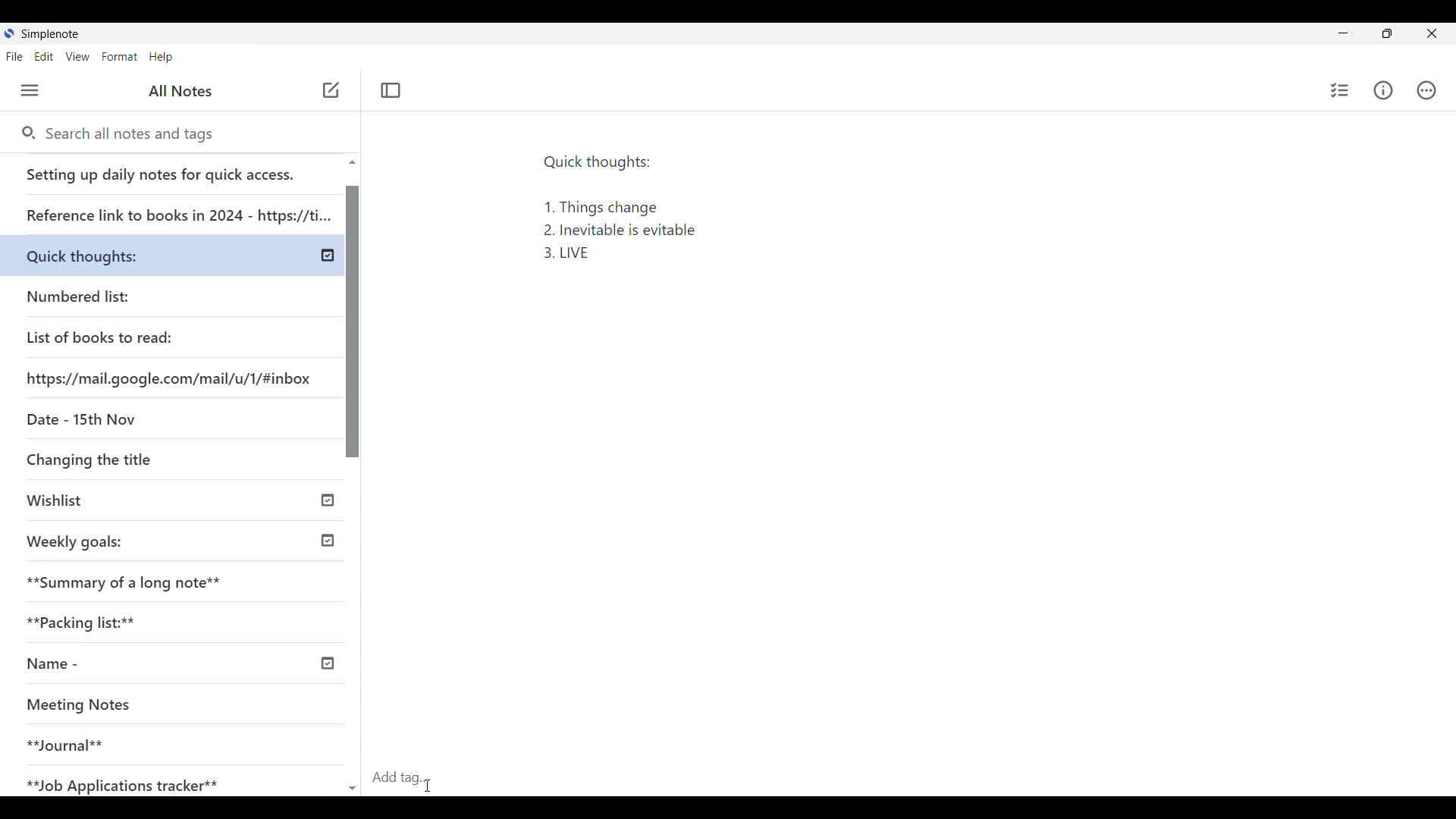 The width and height of the screenshot is (1456, 819). Describe the element at coordinates (632, 214) in the screenshot. I see `Quick thoughts:

1. Things change

2. Inevitable is evitable
3. LIVE` at that location.